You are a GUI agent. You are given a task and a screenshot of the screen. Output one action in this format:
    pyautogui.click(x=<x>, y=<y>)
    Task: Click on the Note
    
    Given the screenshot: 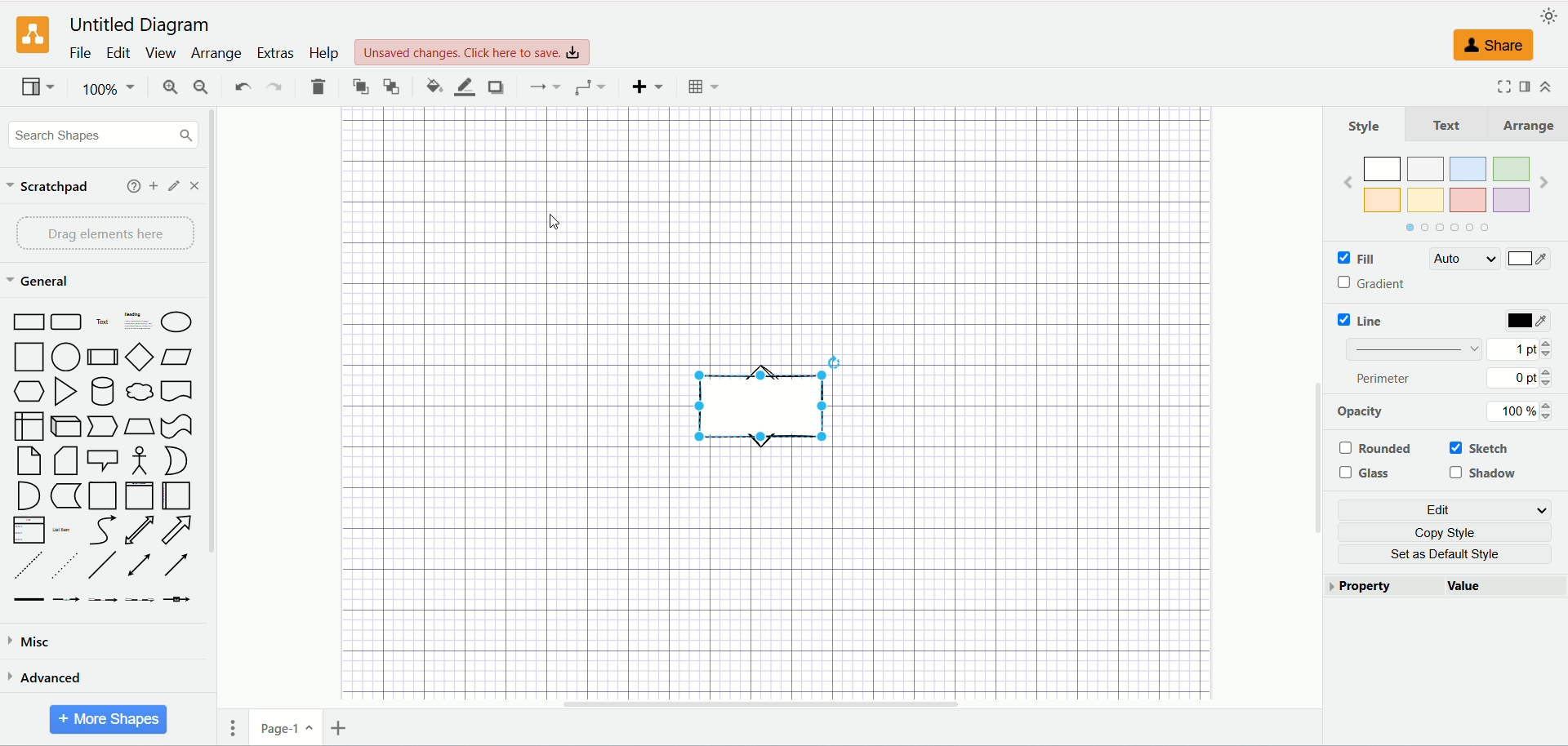 What is the action you would take?
    pyautogui.click(x=24, y=461)
    